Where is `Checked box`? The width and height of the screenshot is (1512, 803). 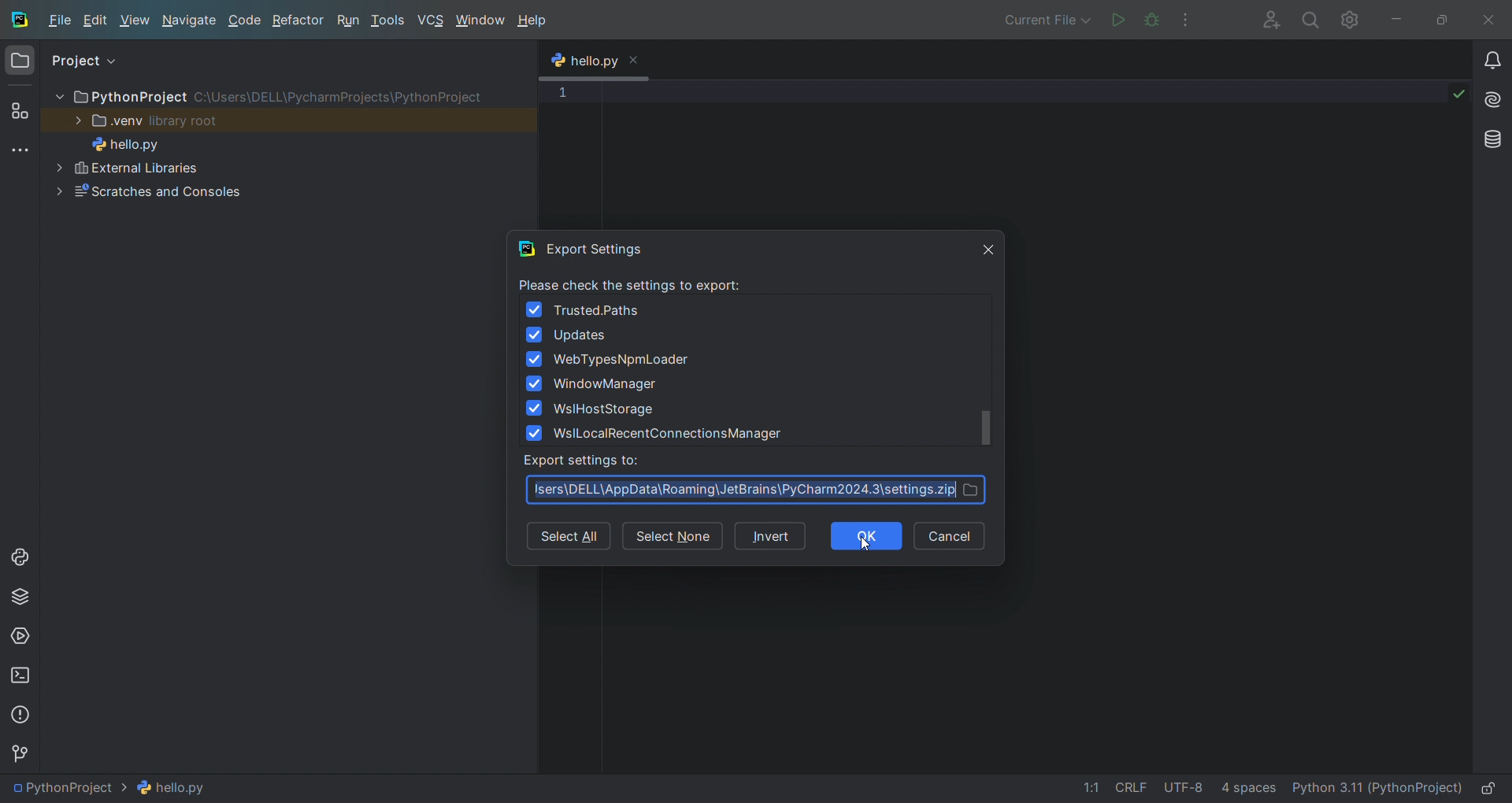
Checked box is located at coordinates (535, 432).